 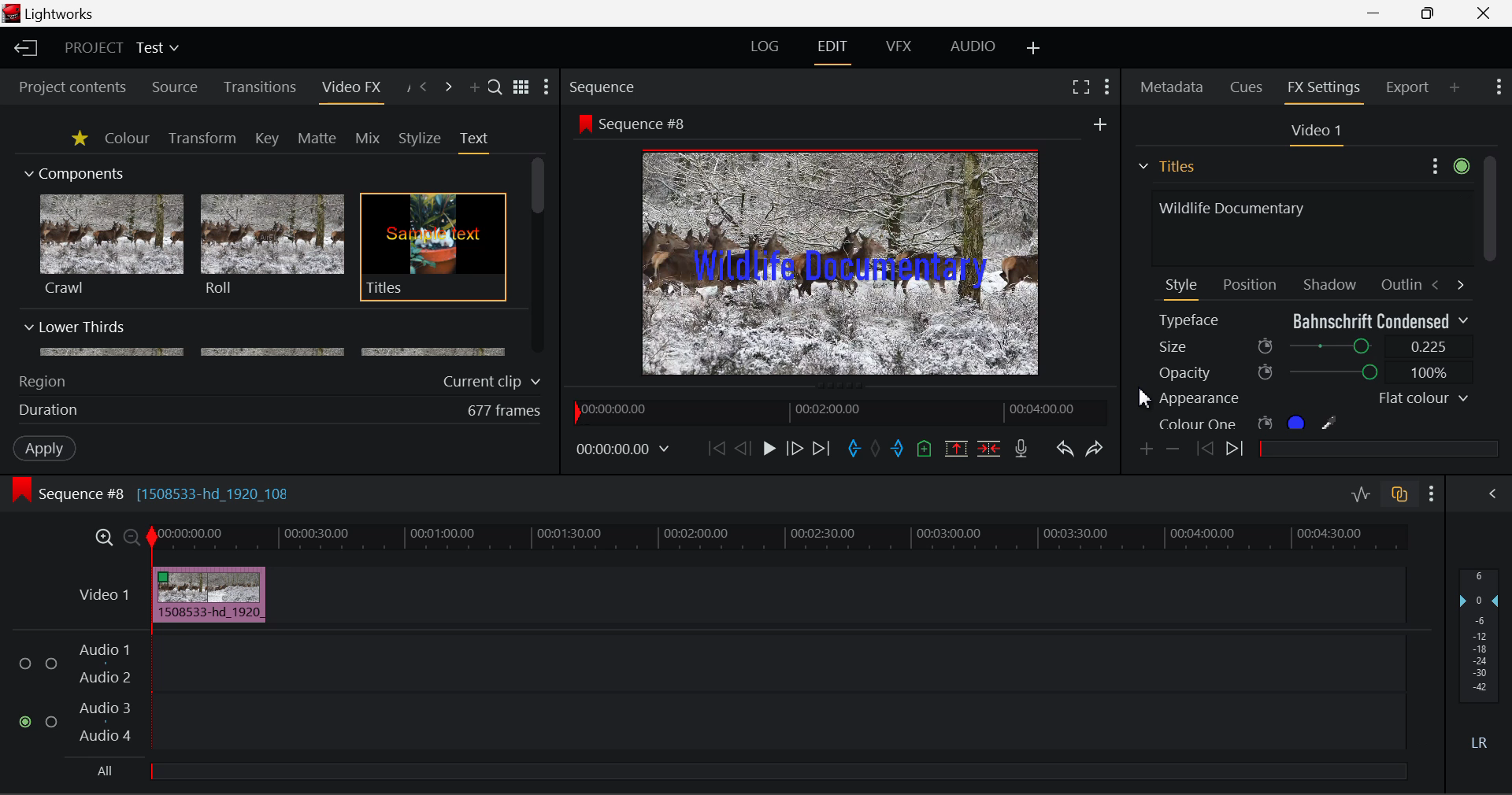 What do you see at coordinates (1307, 226) in the screenshot?
I see `Text Input Field` at bounding box center [1307, 226].